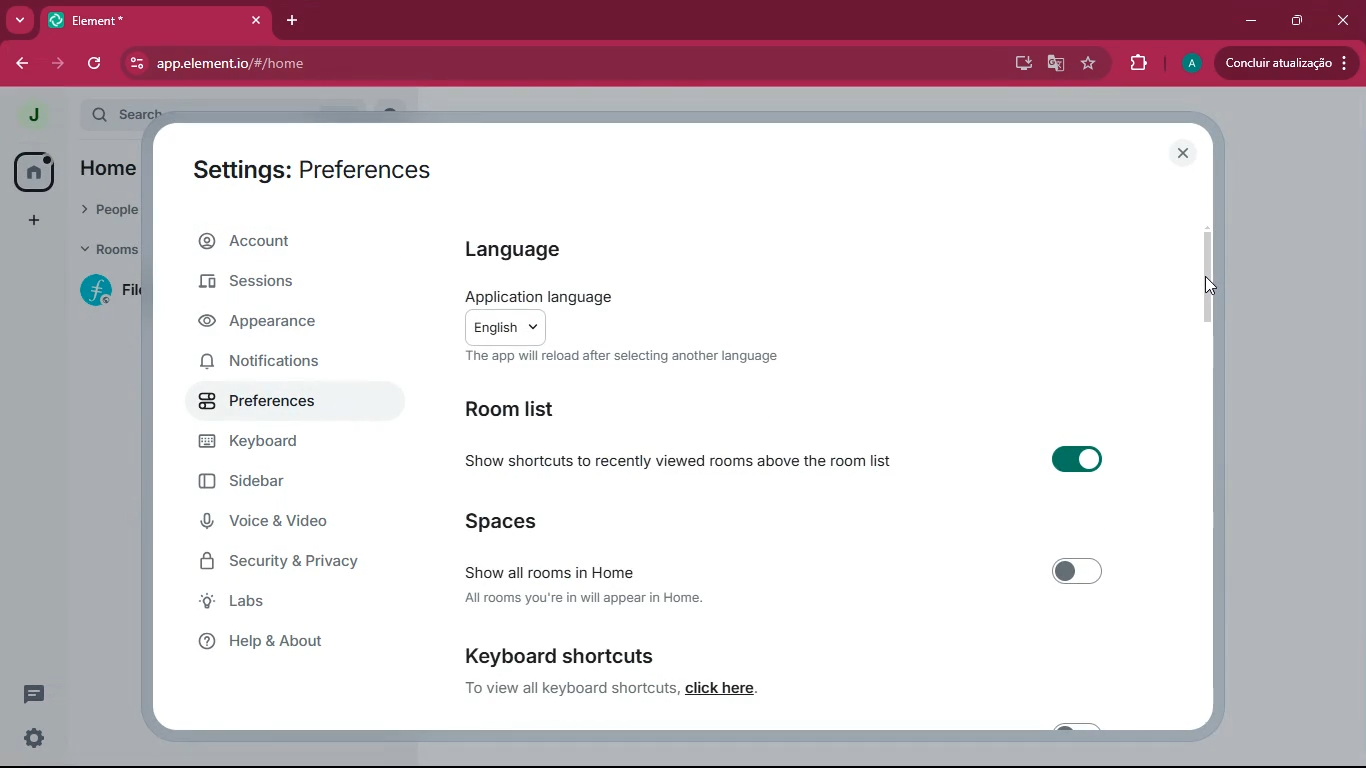 The height and width of the screenshot is (768, 1366). I want to click on google translate, so click(1056, 65).